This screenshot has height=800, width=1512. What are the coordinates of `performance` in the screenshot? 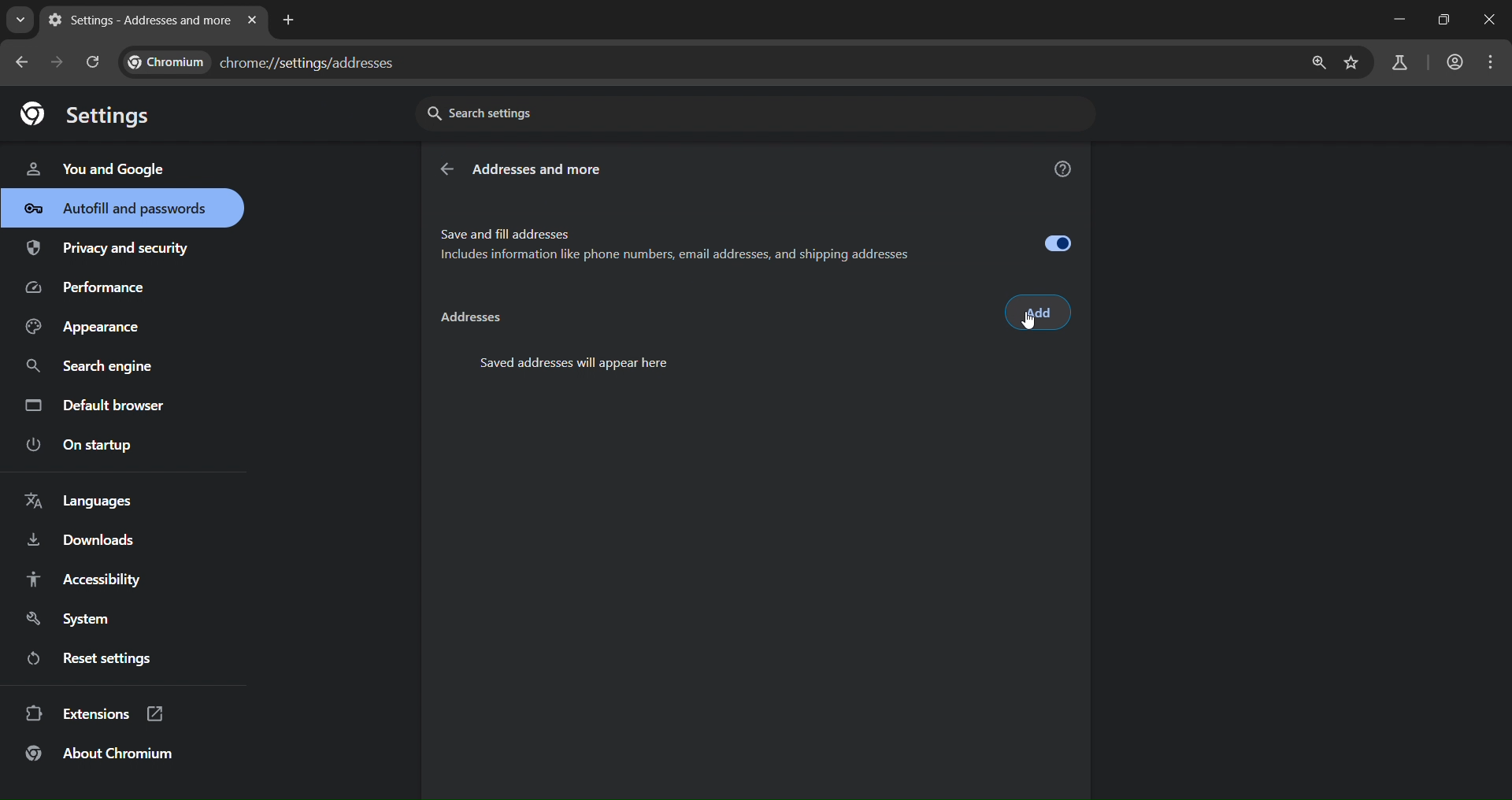 It's located at (91, 291).